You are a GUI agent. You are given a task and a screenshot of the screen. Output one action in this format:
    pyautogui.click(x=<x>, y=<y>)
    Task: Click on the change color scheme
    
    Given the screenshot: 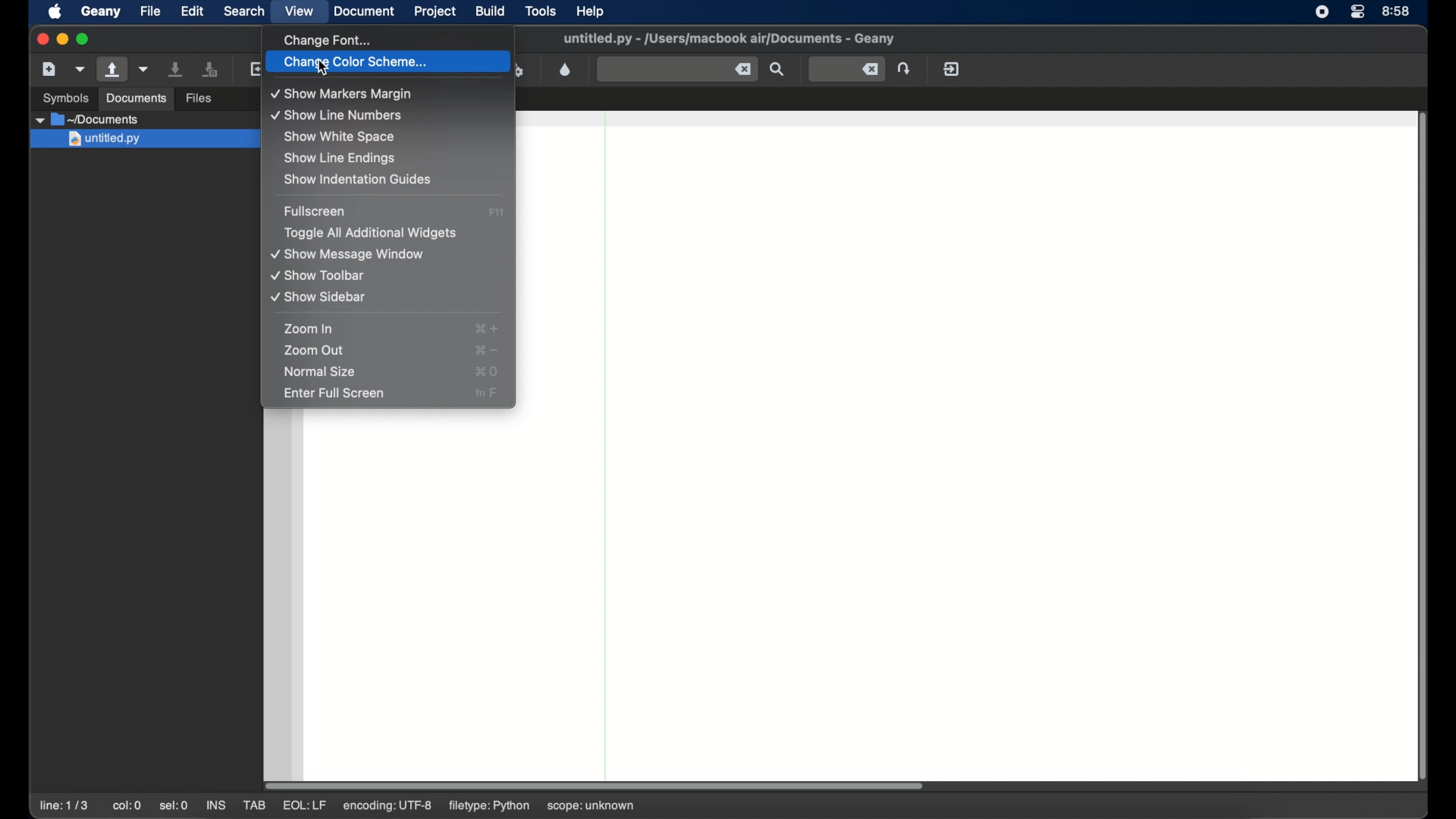 What is the action you would take?
    pyautogui.click(x=383, y=61)
    